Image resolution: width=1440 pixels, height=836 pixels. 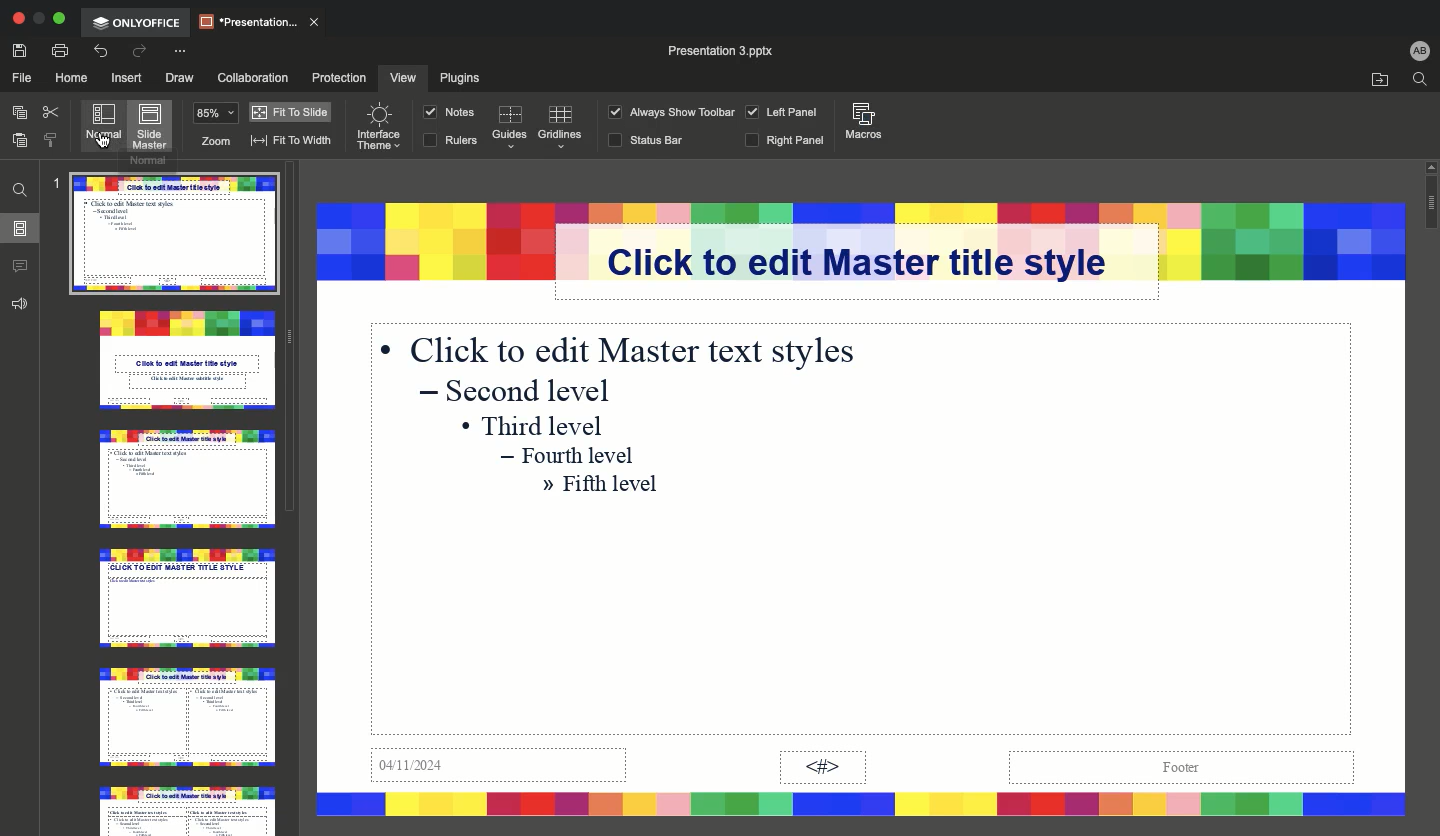 What do you see at coordinates (1429, 493) in the screenshot?
I see `Scroll bar` at bounding box center [1429, 493].